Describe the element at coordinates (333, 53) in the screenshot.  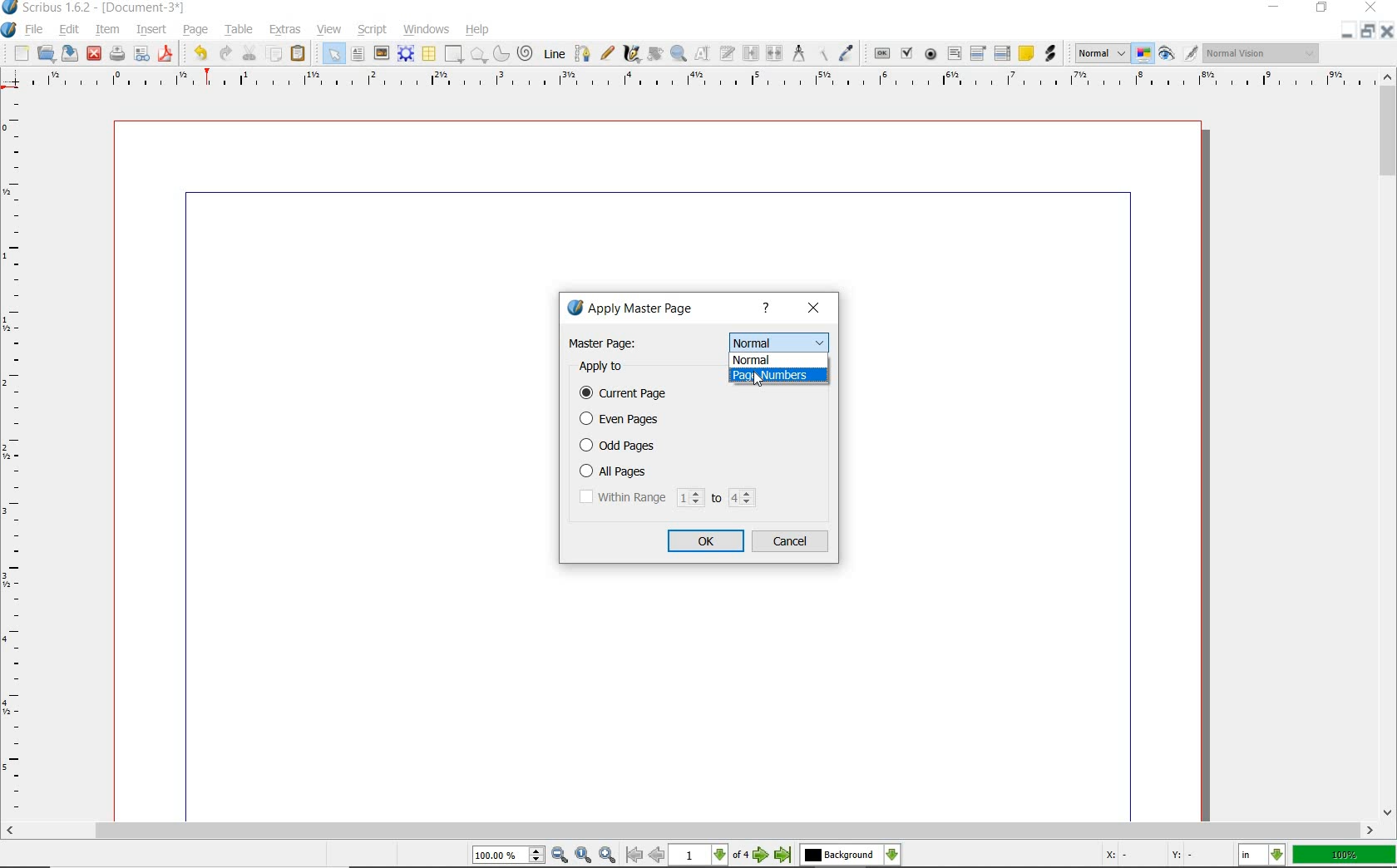
I see `select` at that location.